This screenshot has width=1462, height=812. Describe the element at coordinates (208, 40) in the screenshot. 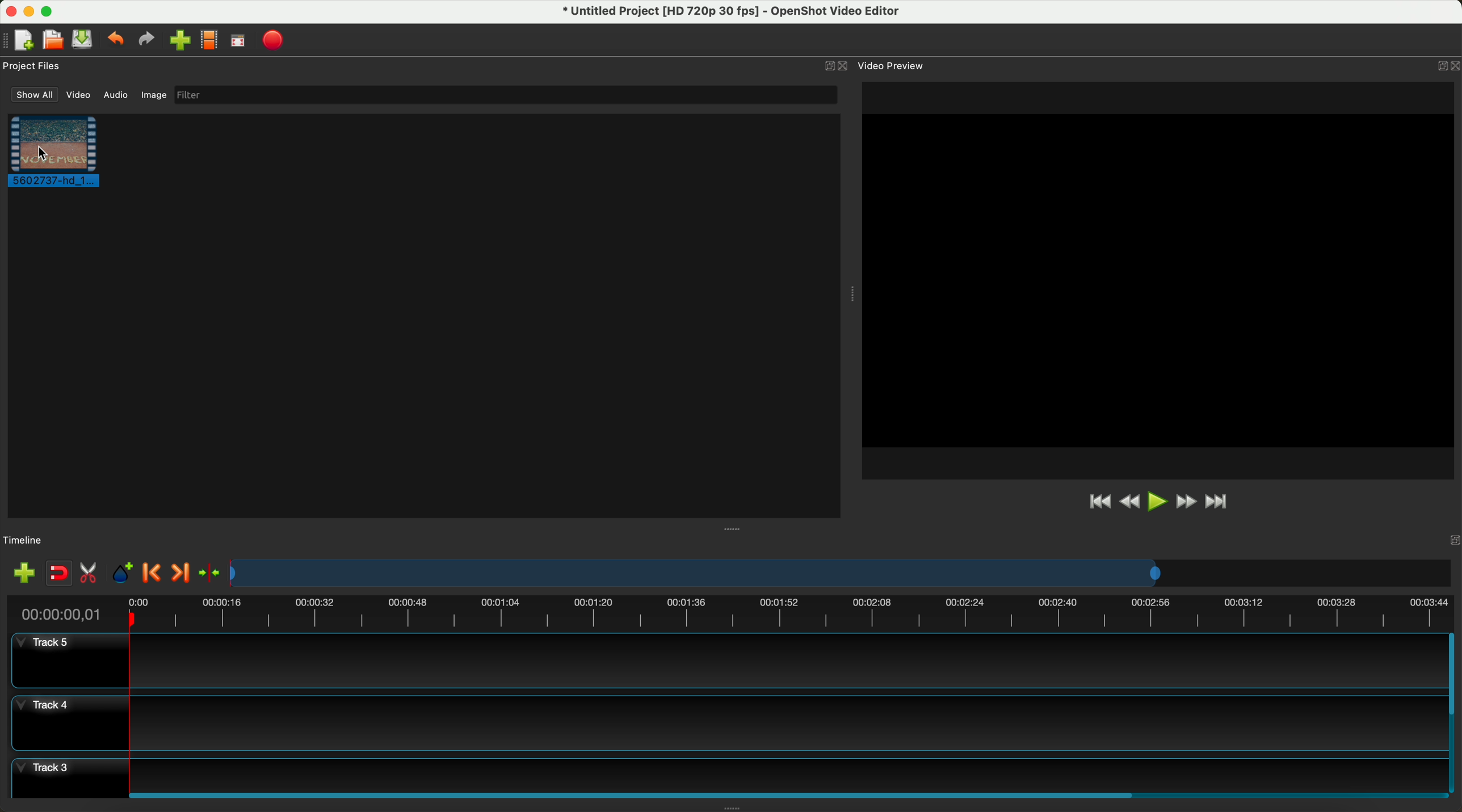

I see `choose profile` at that location.